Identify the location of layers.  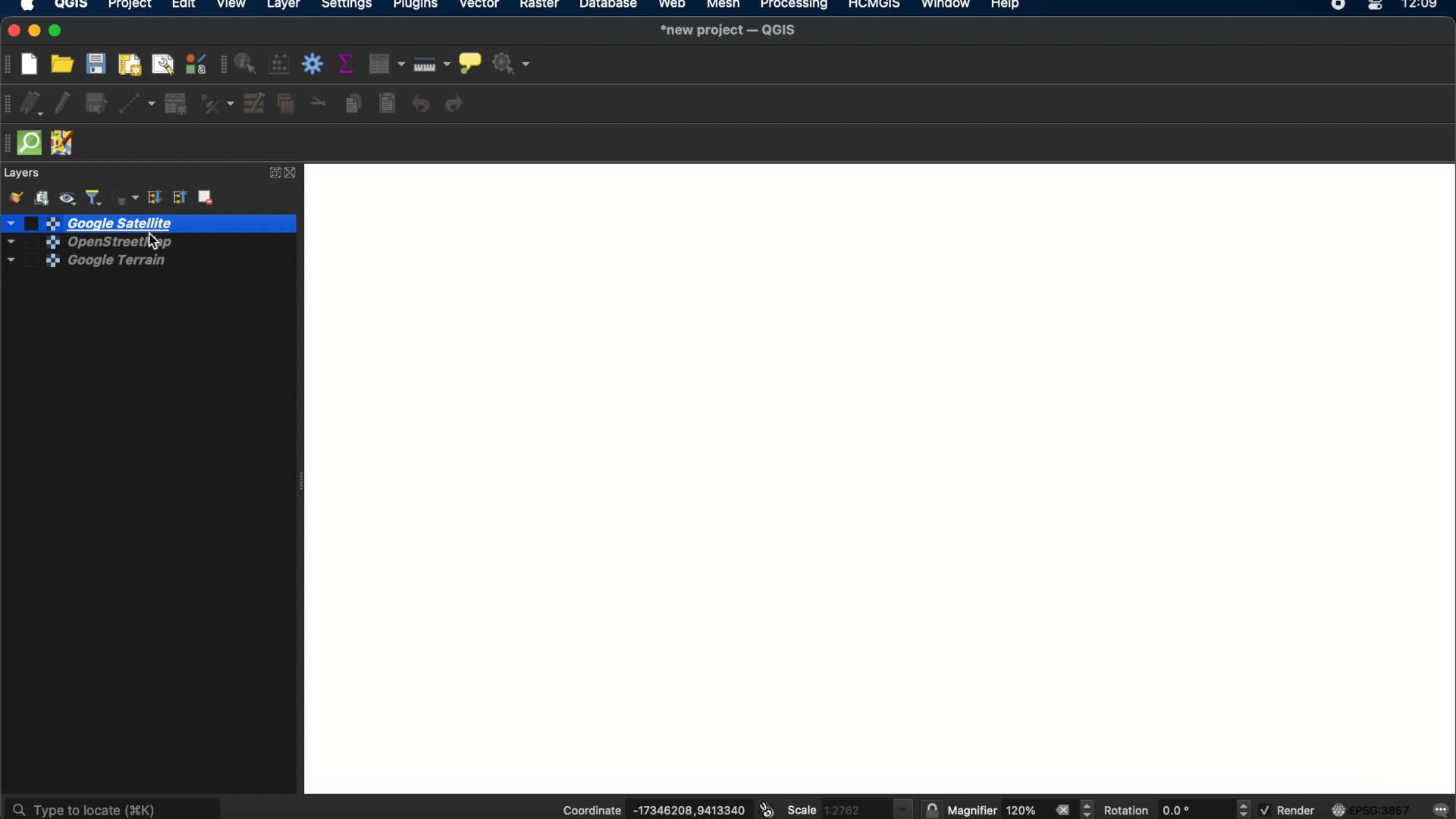
(24, 173).